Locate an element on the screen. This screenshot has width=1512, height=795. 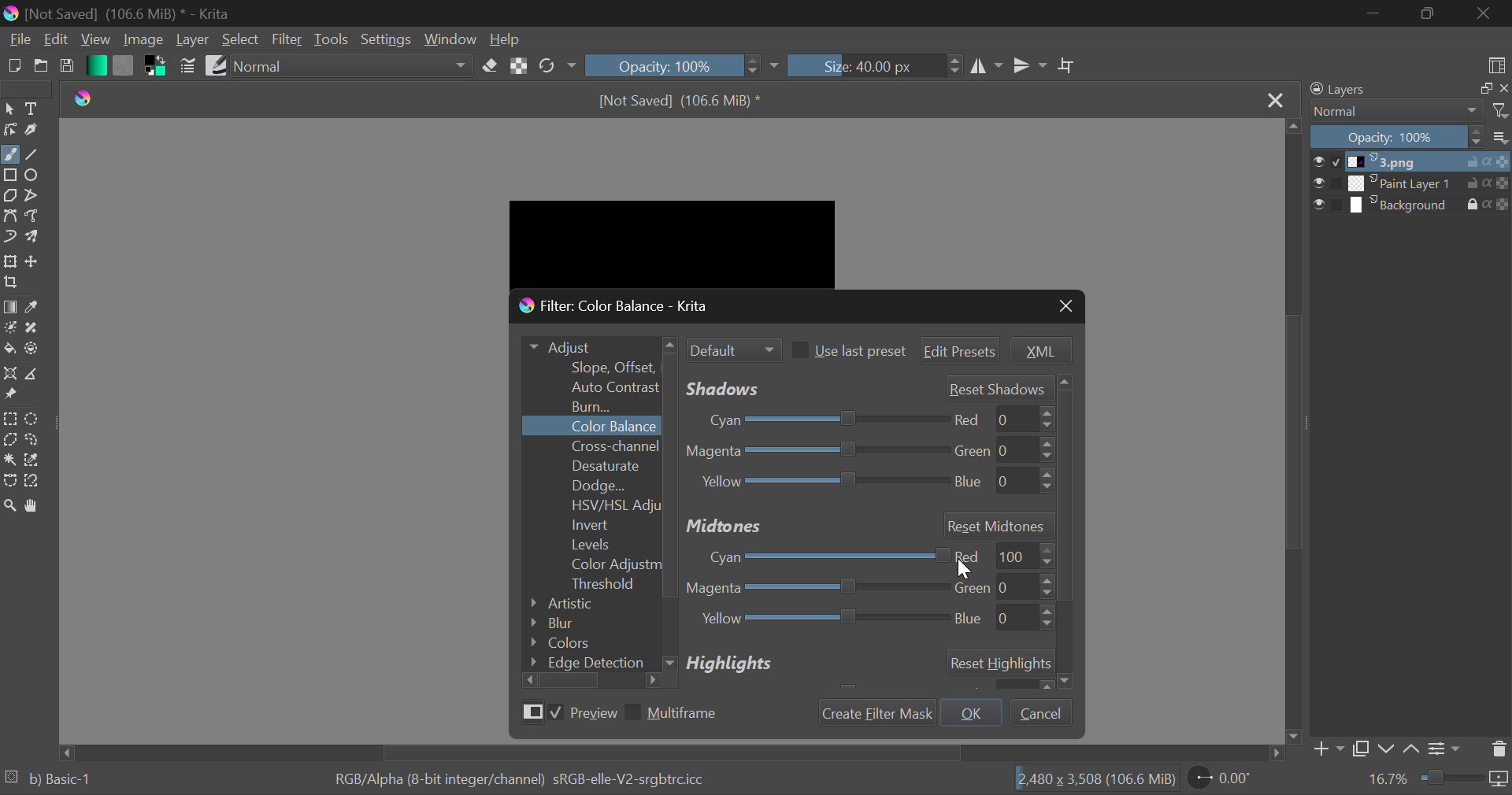
Freehand Path Tool is located at coordinates (36, 217).